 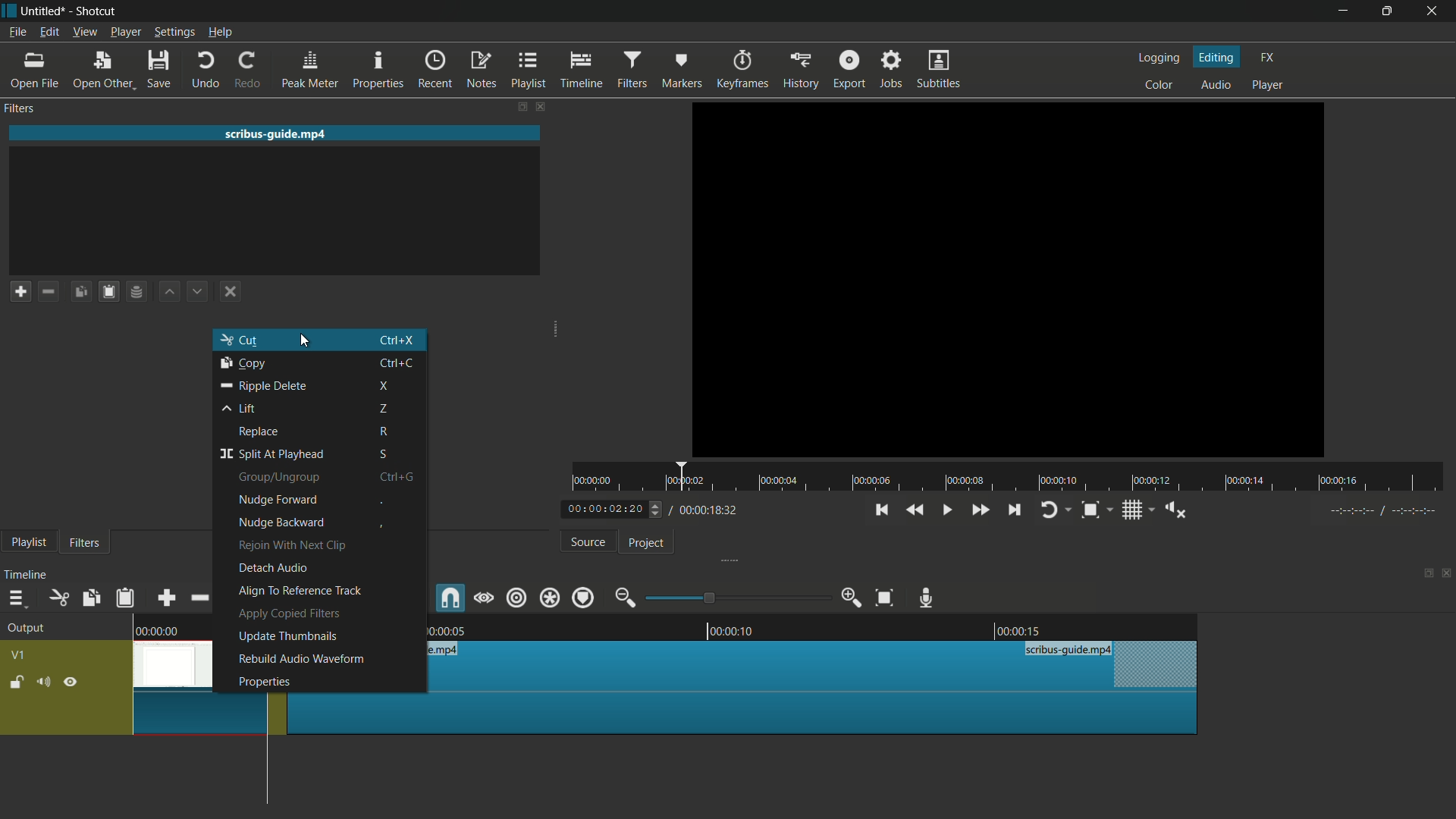 I want to click on audio, so click(x=1216, y=86).